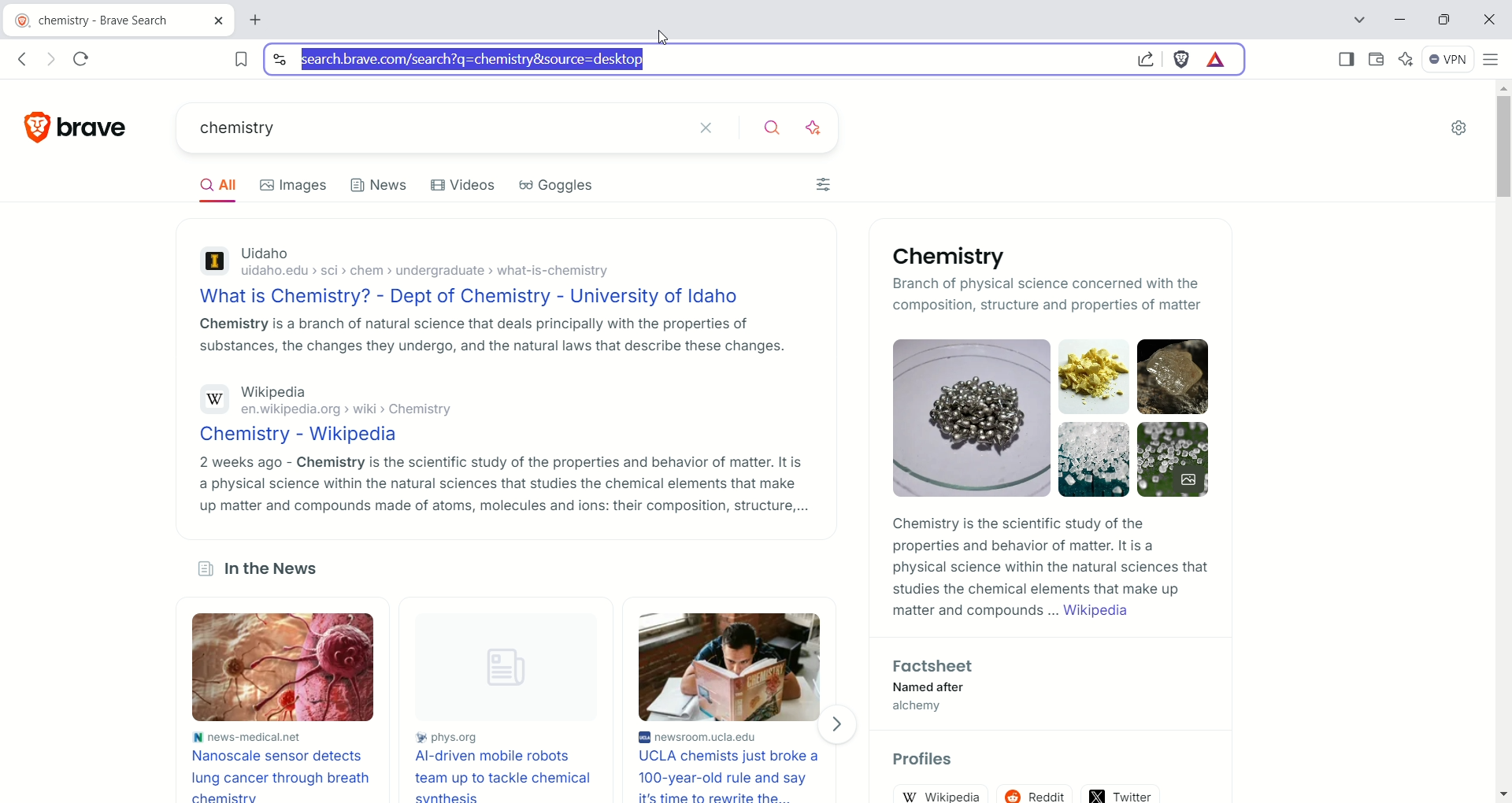 Image resolution: width=1512 pixels, height=803 pixels. What do you see at coordinates (106, 128) in the screenshot?
I see `brave` at bounding box center [106, 128].